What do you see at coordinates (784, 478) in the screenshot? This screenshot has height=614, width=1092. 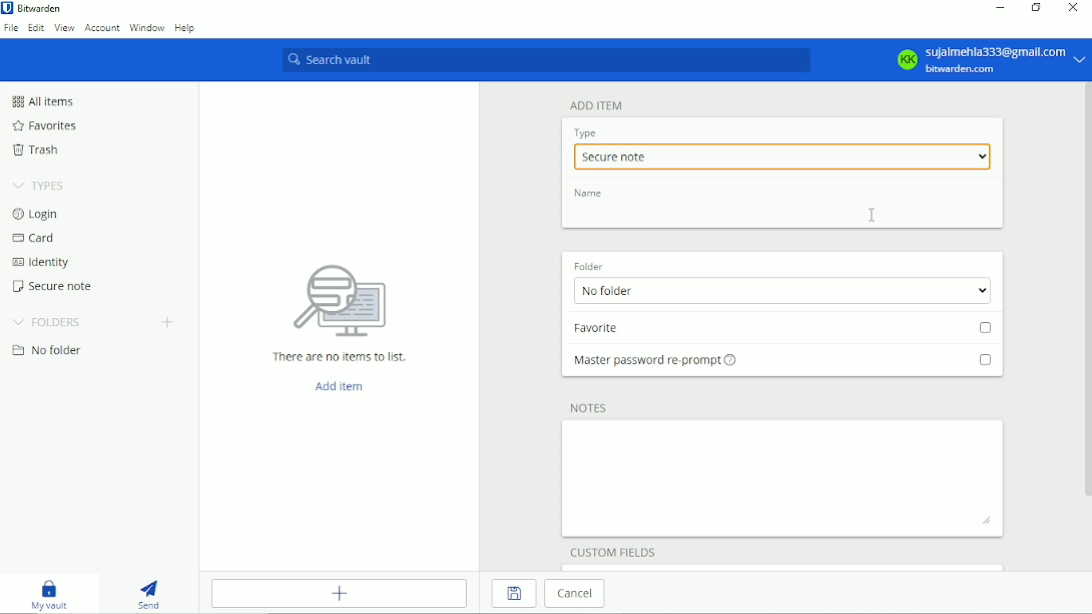 I see `Add notes` at bounding box center [784, 478].